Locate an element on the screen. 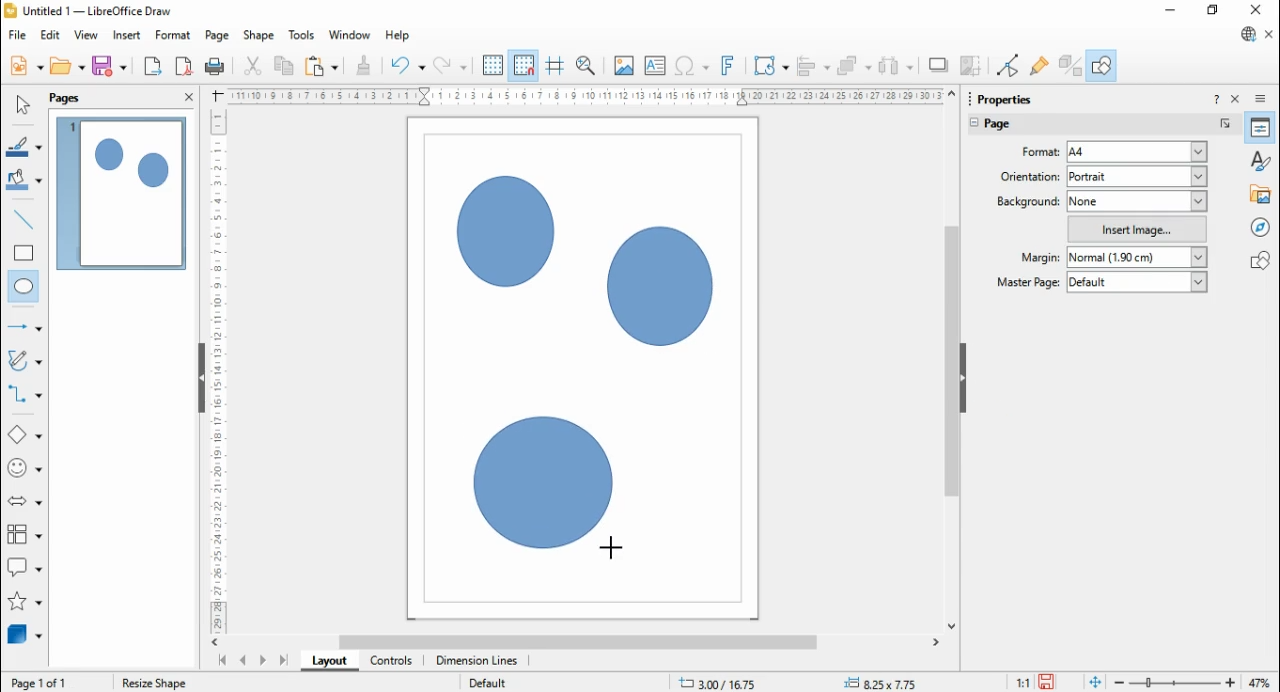 The height and width of the screenshot is (692, 1280). insert line is located at coordinates (26, 220).